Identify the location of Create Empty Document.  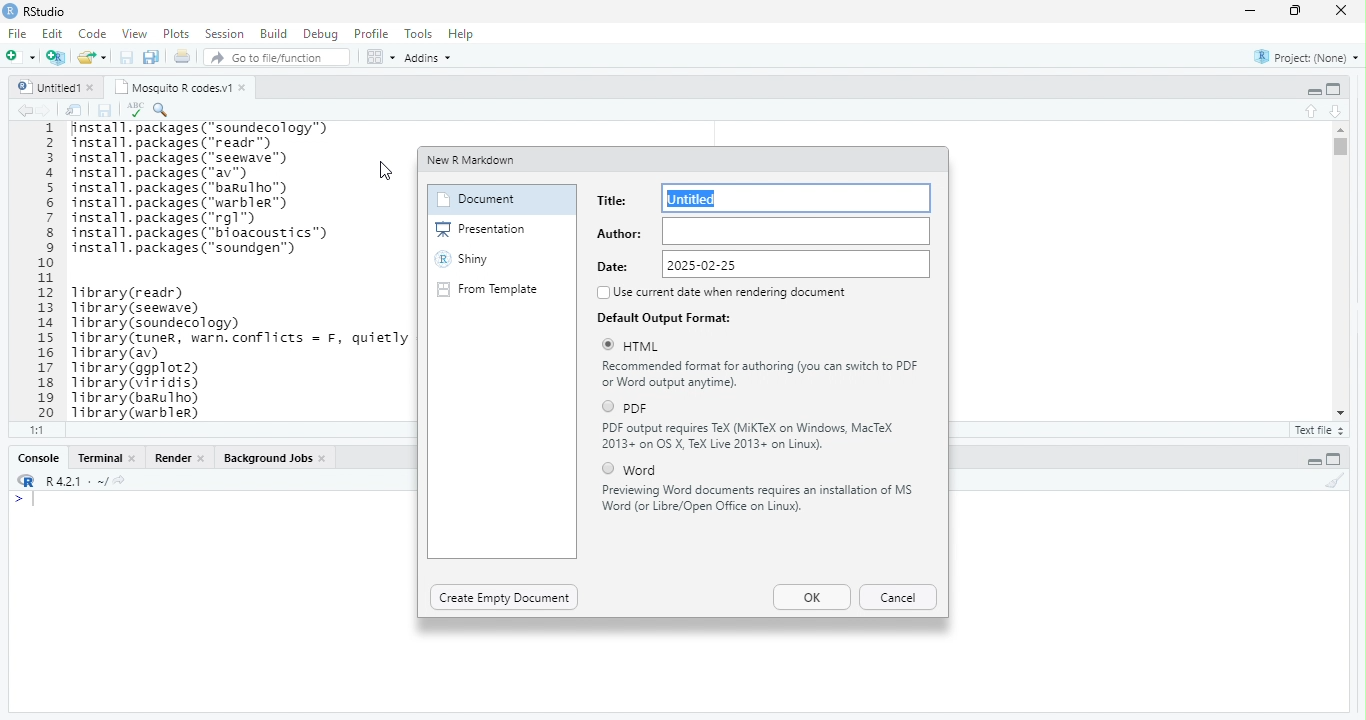
(504, 598).